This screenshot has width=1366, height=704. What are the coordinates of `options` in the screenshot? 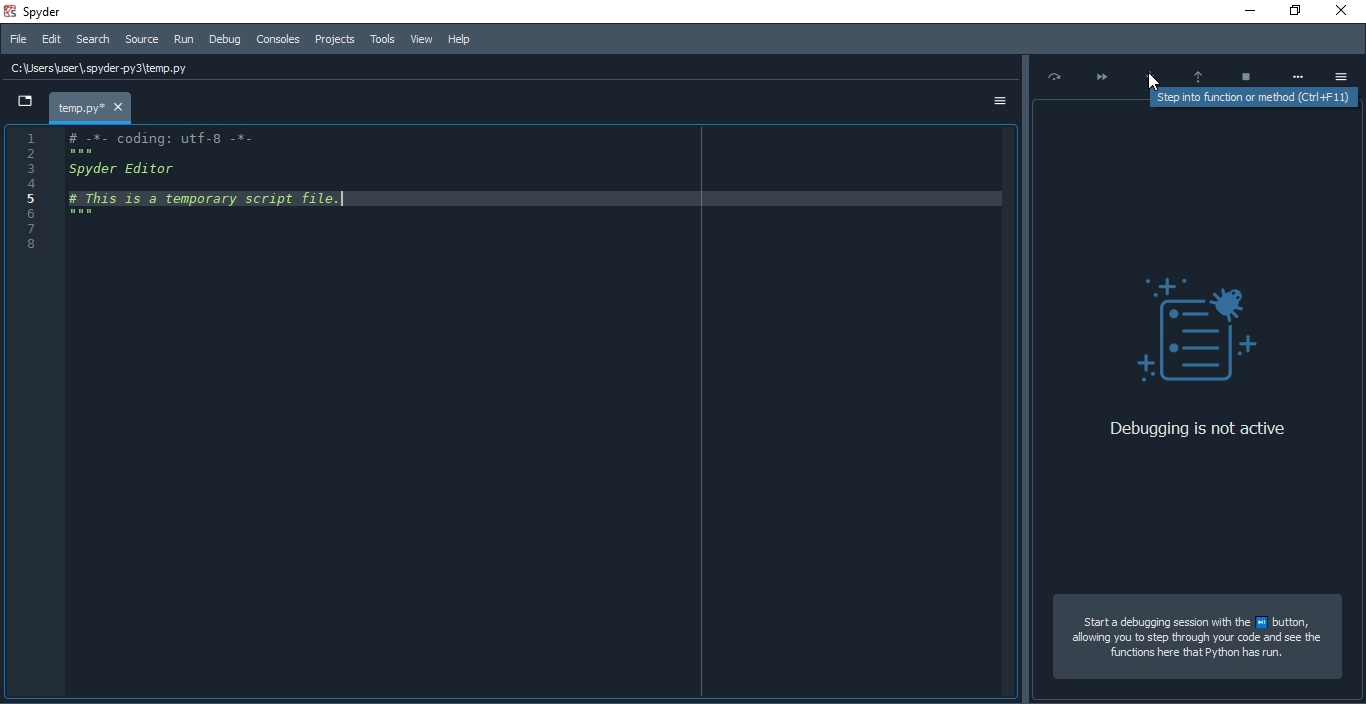 It's located at (1345, 75).